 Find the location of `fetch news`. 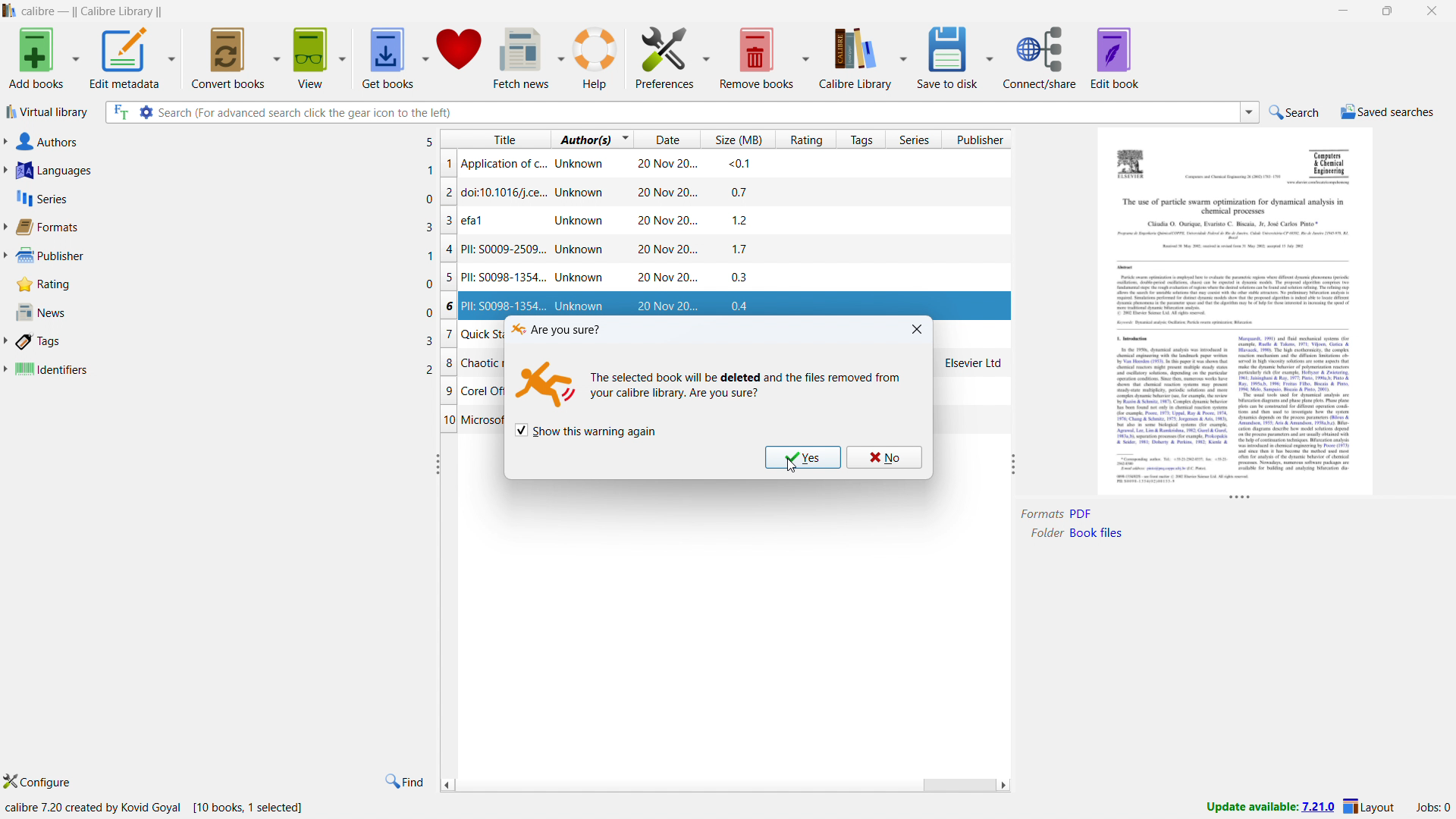

fetch news is located at coordinates (522, 57).